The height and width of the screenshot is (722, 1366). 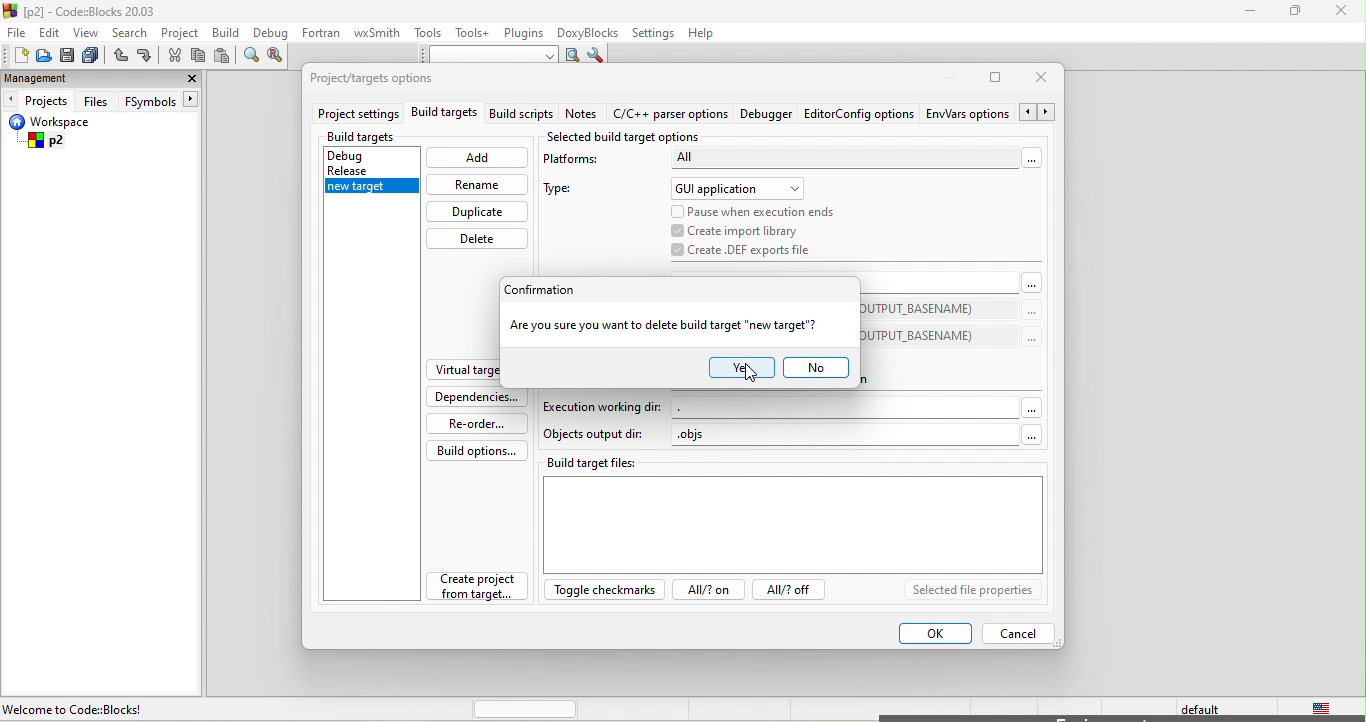 I want to click on project/target option, so click(x=385, y=82).